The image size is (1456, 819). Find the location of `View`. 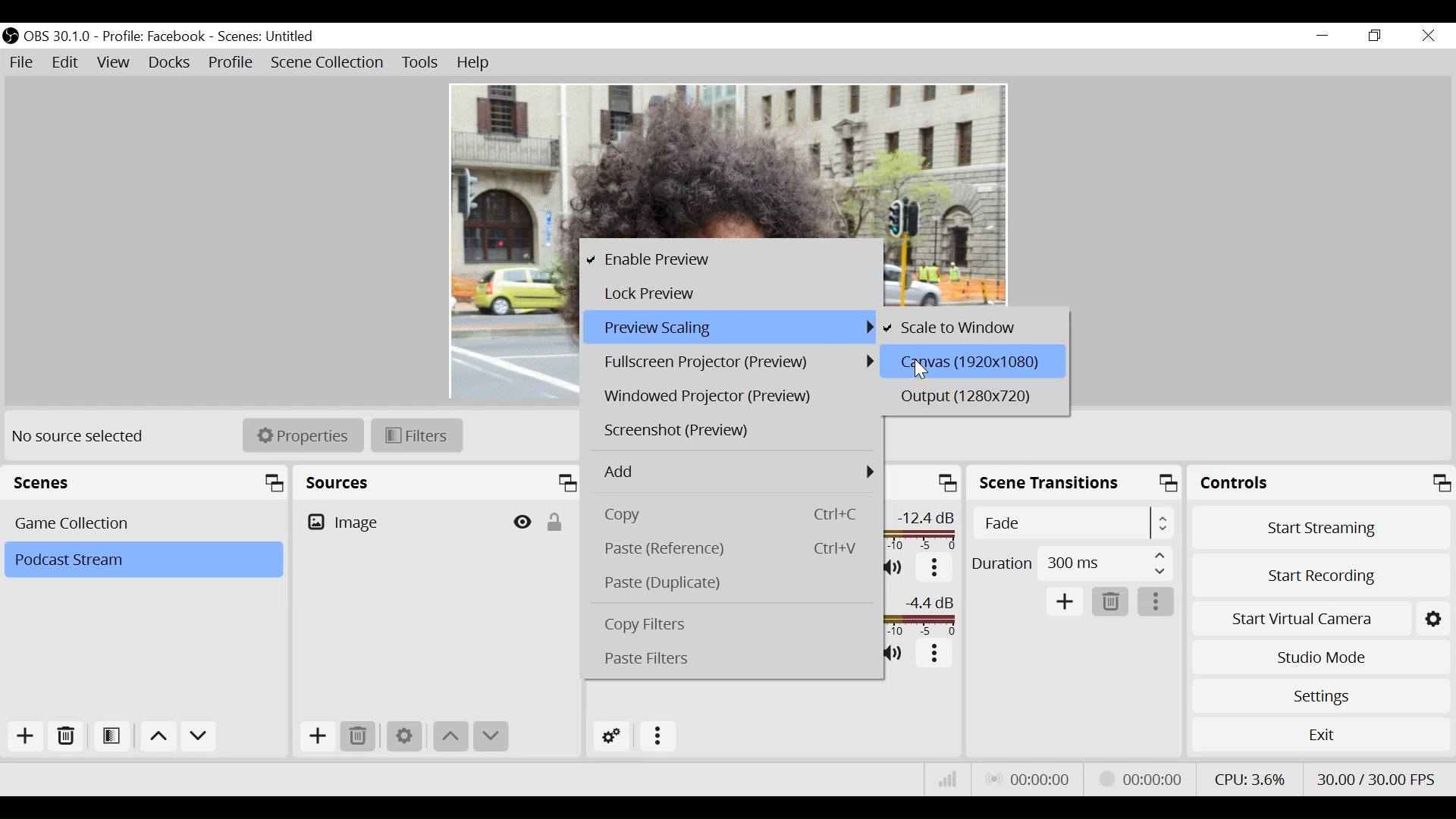

View is located at coordinates (115, 64).